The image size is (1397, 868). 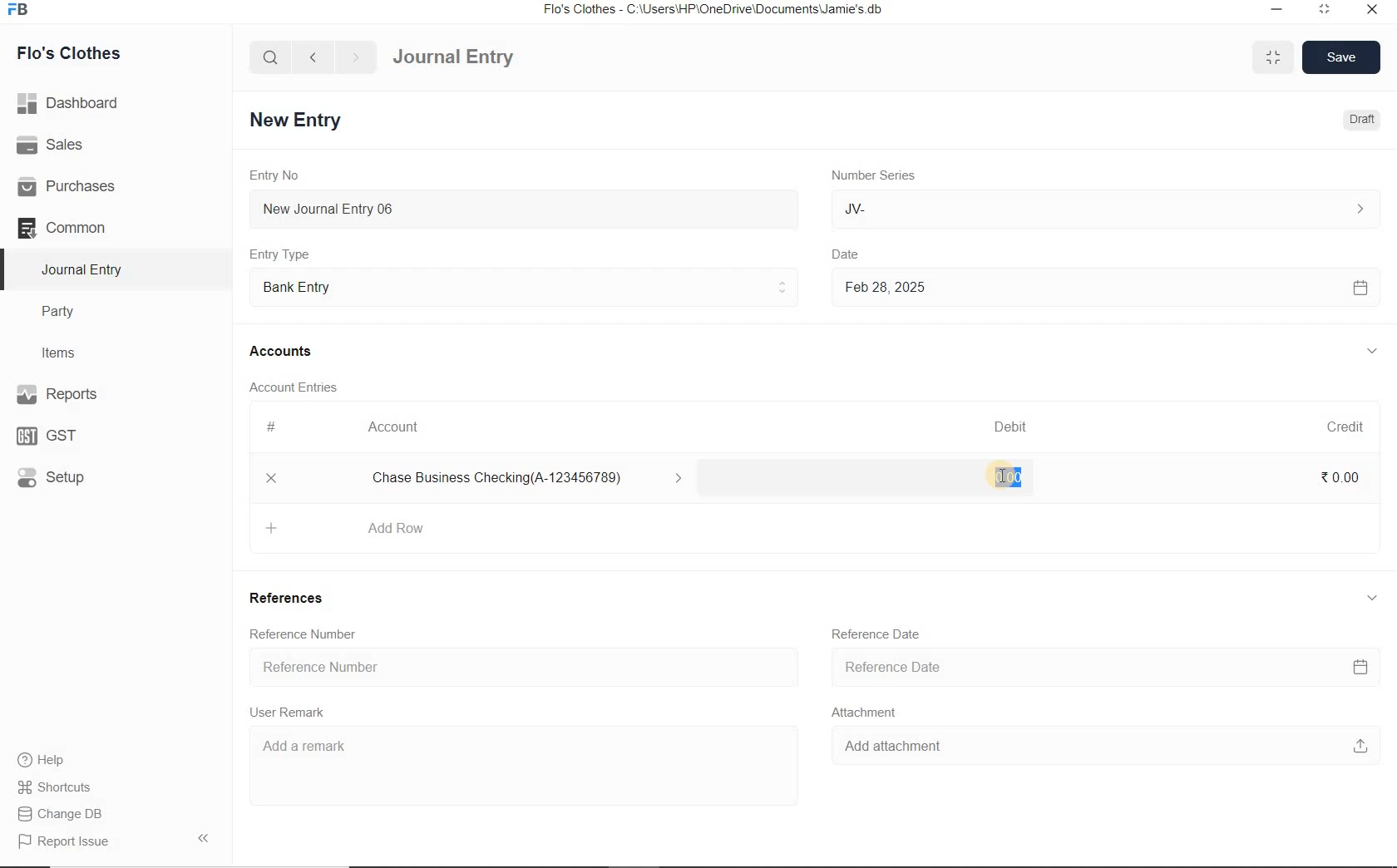 What do you see at coordinates (857, 252) in the screenshot?
I see `Date` at bounding box center [857, 252].